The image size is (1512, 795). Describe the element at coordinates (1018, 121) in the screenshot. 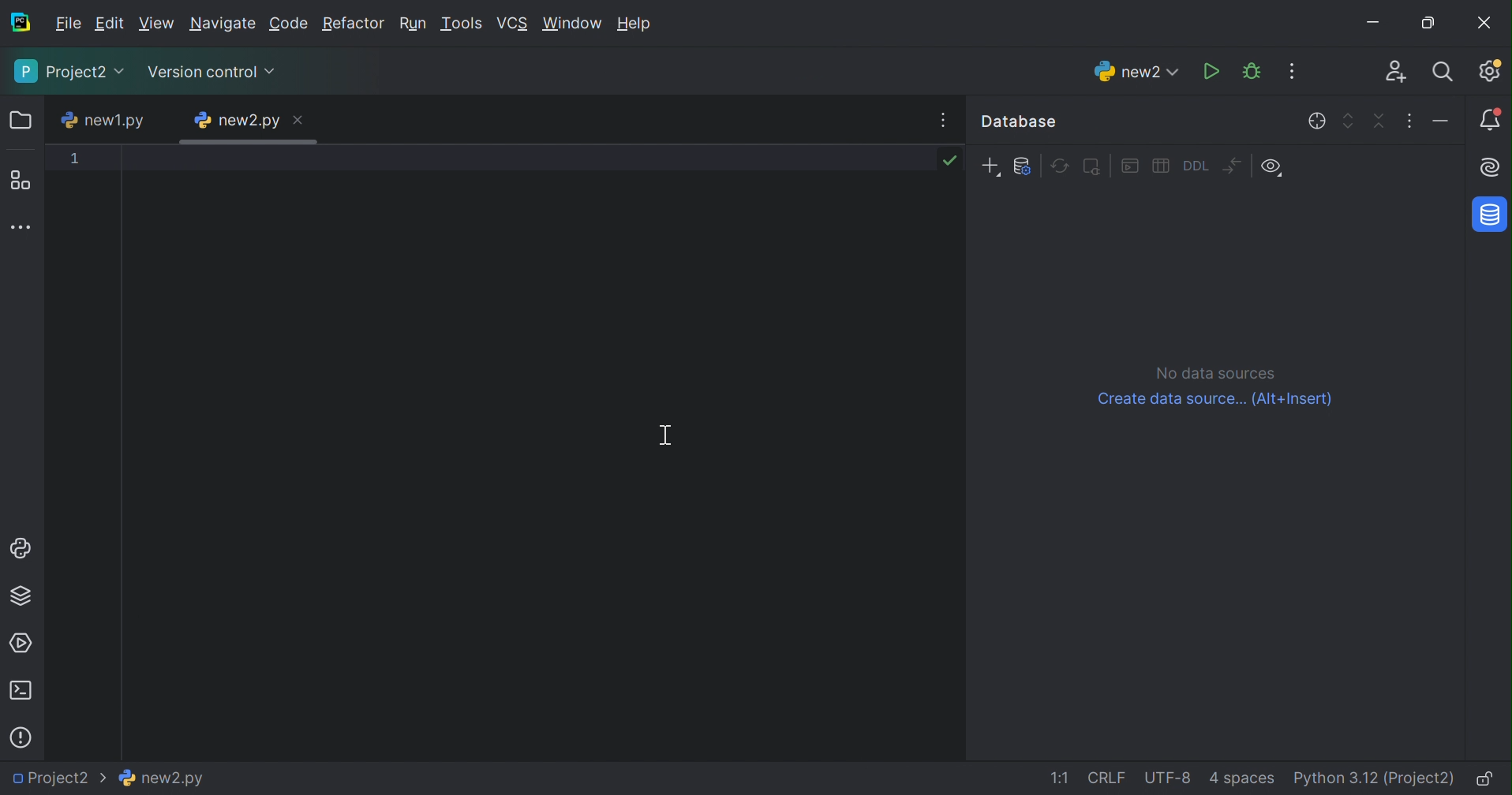

I see `Database` at that location.